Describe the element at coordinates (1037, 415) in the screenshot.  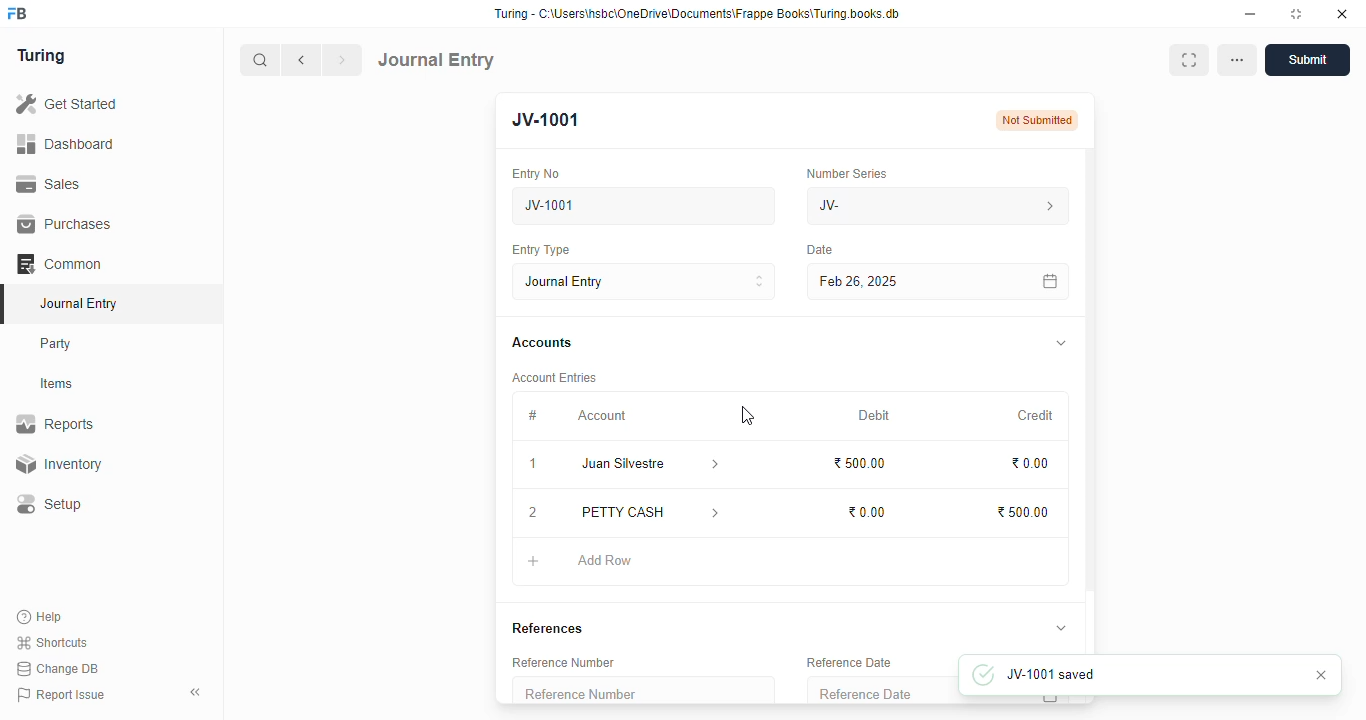
I see `credit` at that location.